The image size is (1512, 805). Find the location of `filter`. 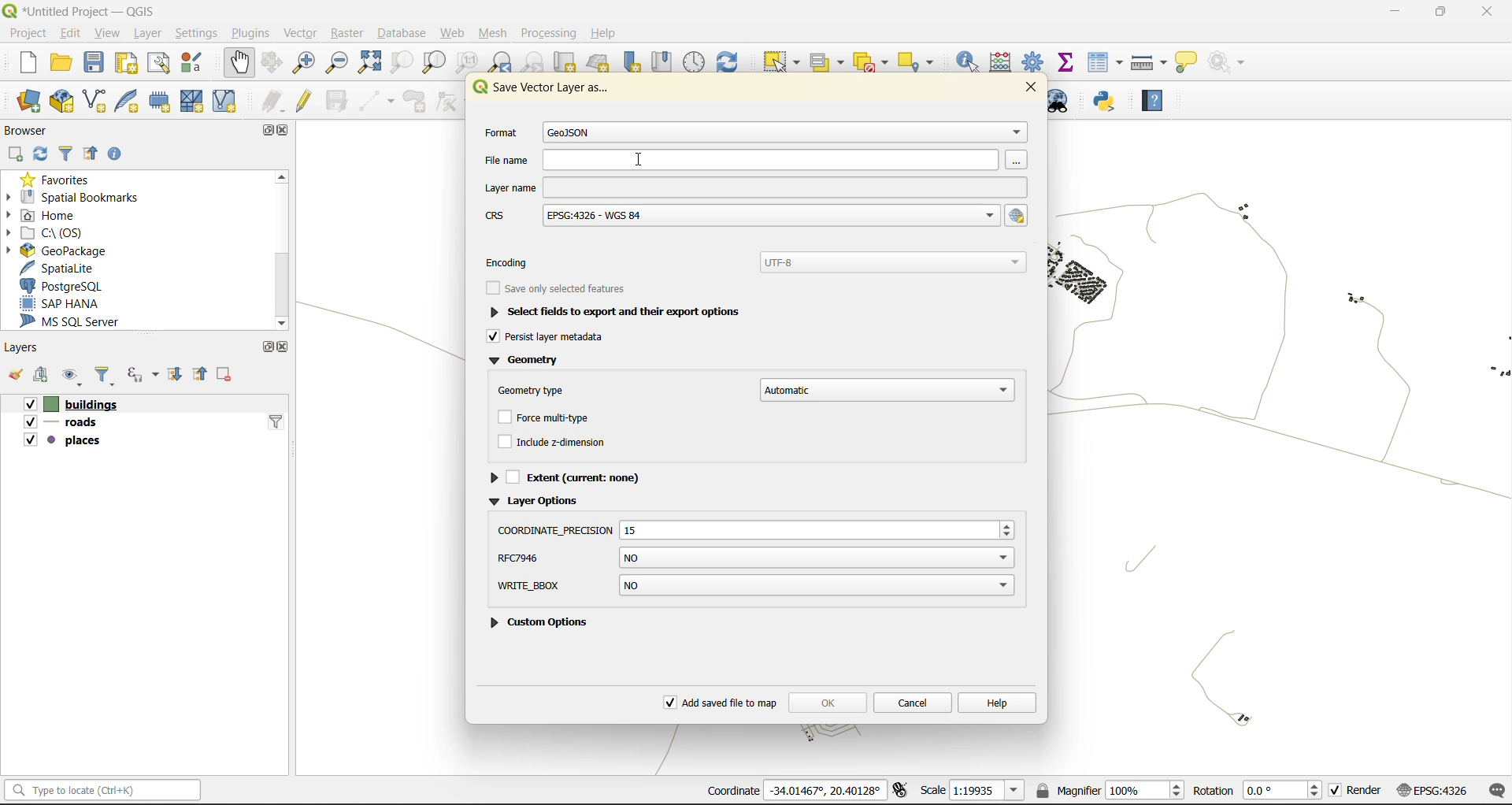

filter is located at coordinates (108, 376).